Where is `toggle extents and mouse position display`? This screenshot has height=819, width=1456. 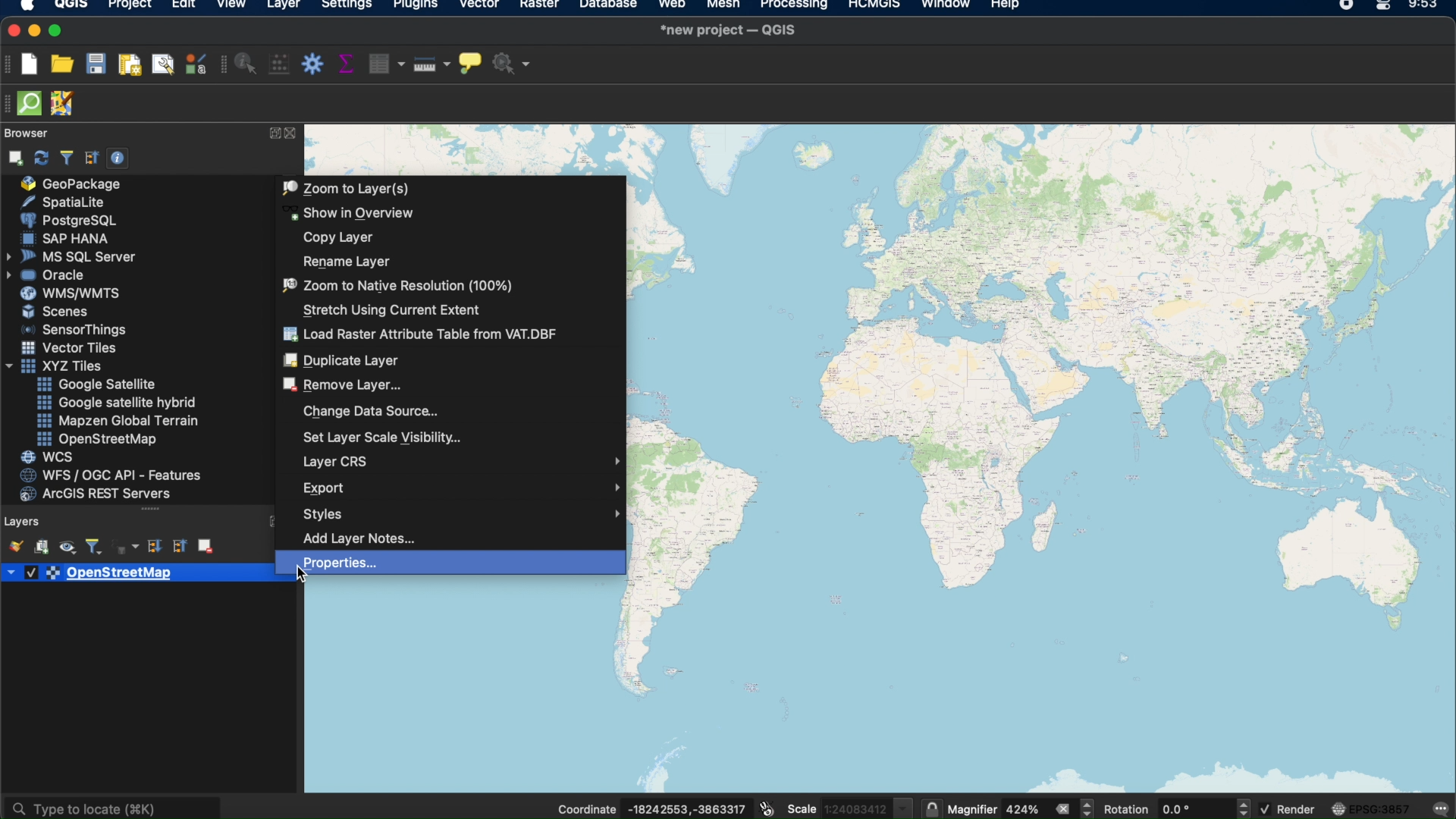
toggle extents and mouse position display is located at coordinates (769, 805).